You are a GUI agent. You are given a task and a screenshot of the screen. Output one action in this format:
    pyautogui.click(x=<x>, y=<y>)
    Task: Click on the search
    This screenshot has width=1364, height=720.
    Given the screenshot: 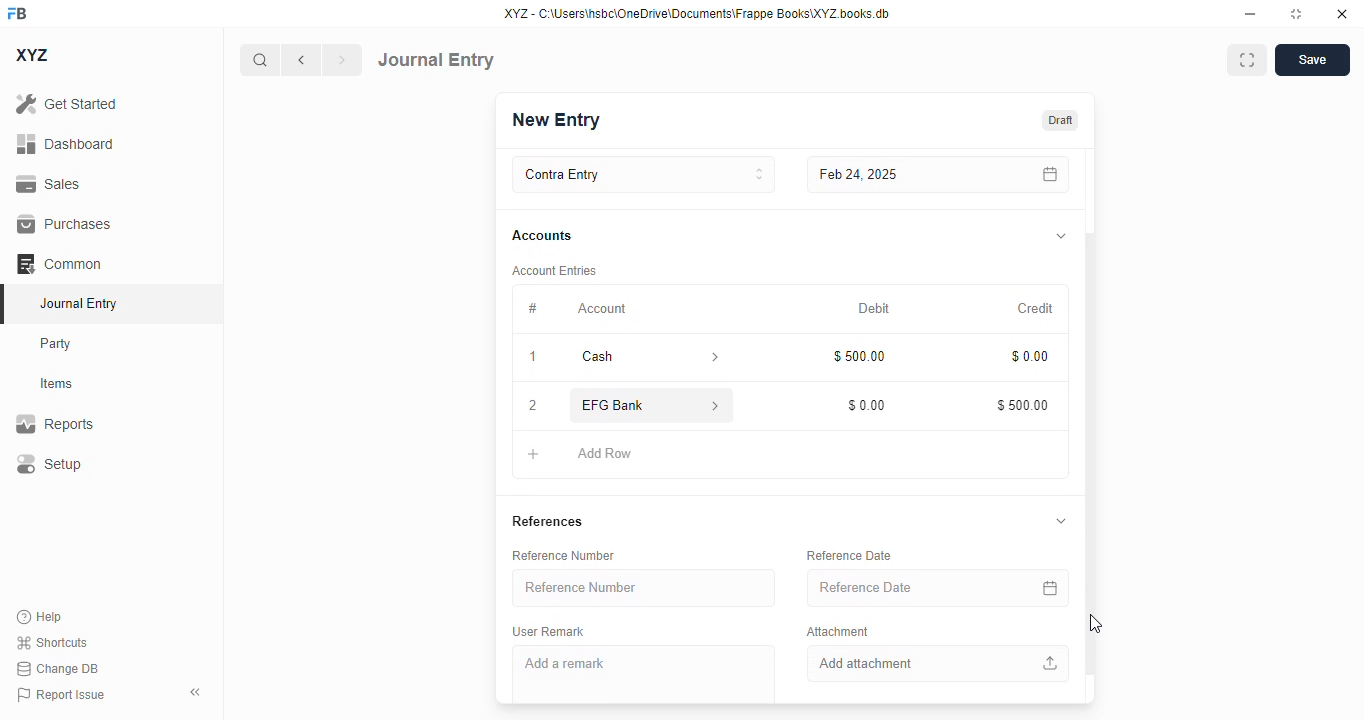 What is the action you would take?
    pyautogui.click(x=259, y=60)
    